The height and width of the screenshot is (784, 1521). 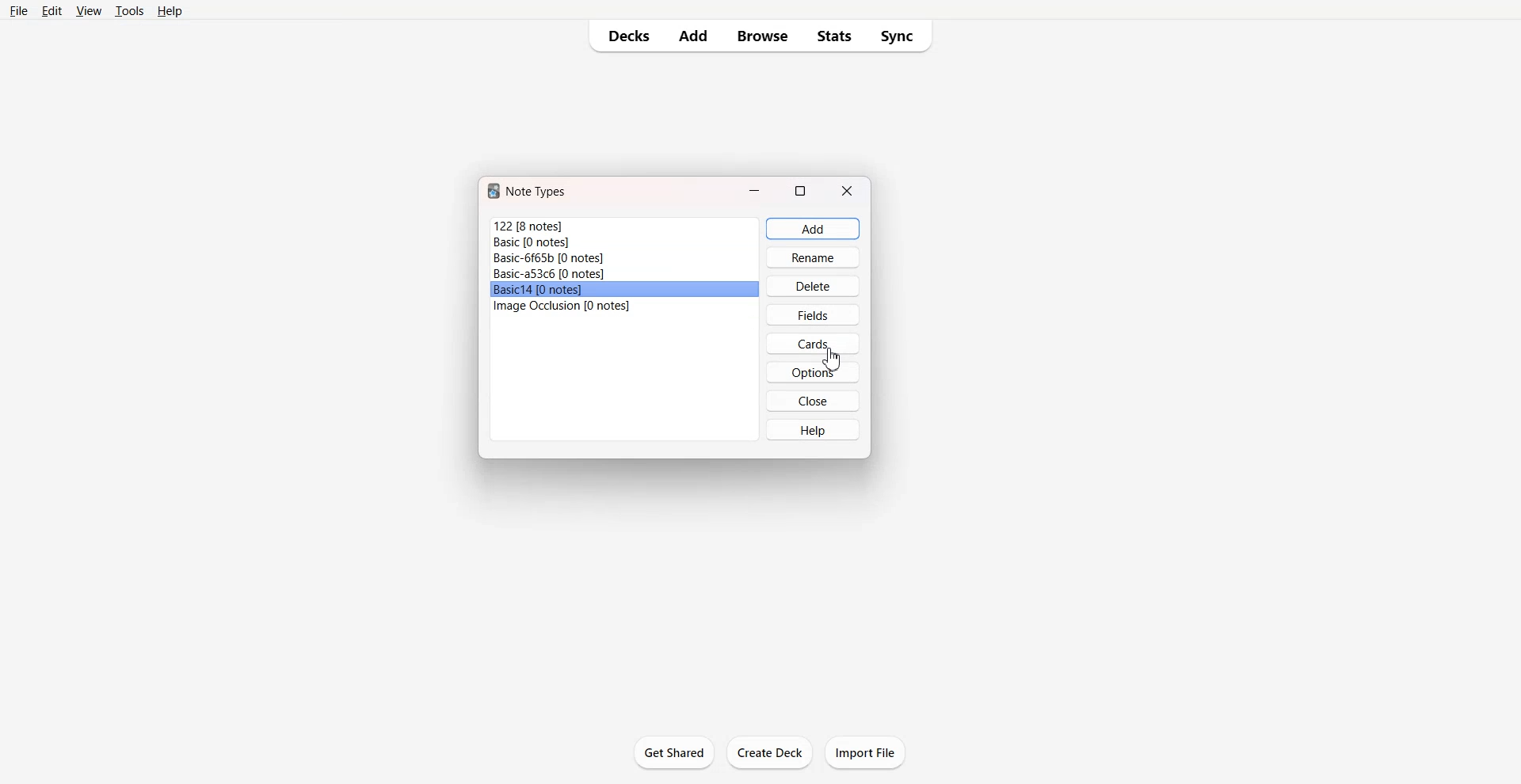 I want to click on Close, so click(x=848, y=190).